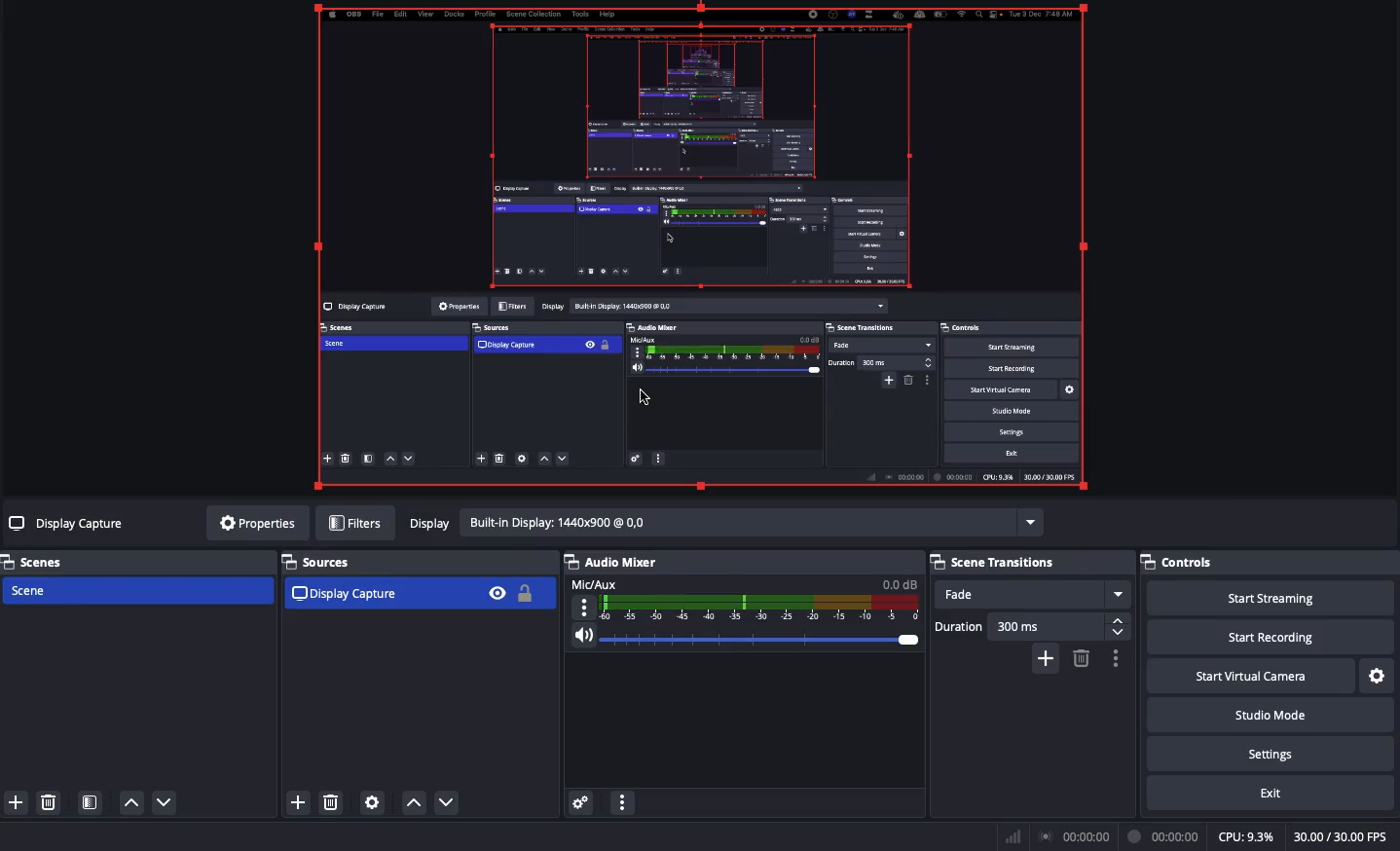 Image resolution: width=1400 pixels, height=851 pixels. Describe the element at coordinates (449, 804) in the screenshot. I see `move down` at that location.